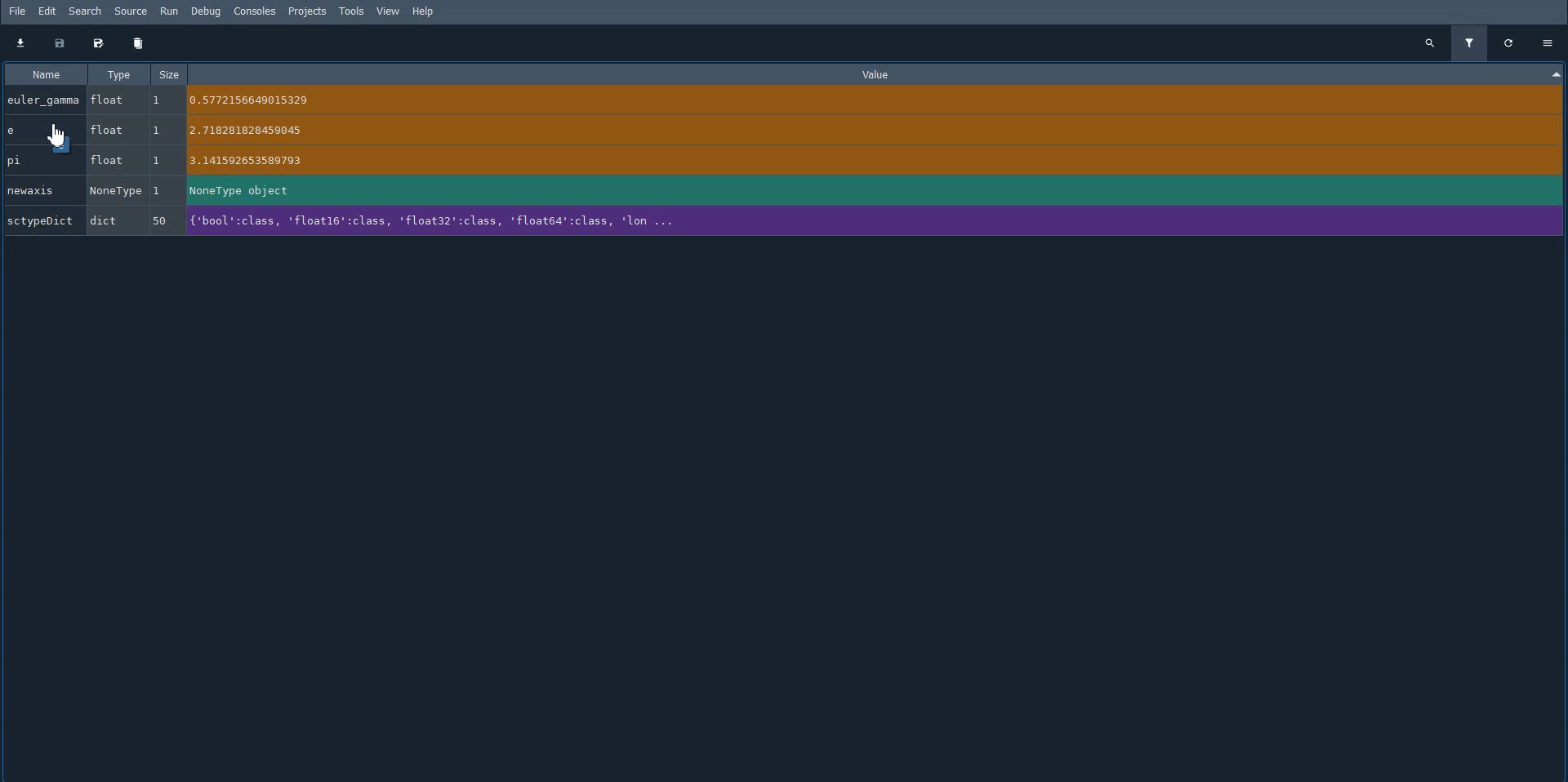  Describe the element at coordinates (1511, 42) in the screenshot. I see `Refresh all variables ` at that location.